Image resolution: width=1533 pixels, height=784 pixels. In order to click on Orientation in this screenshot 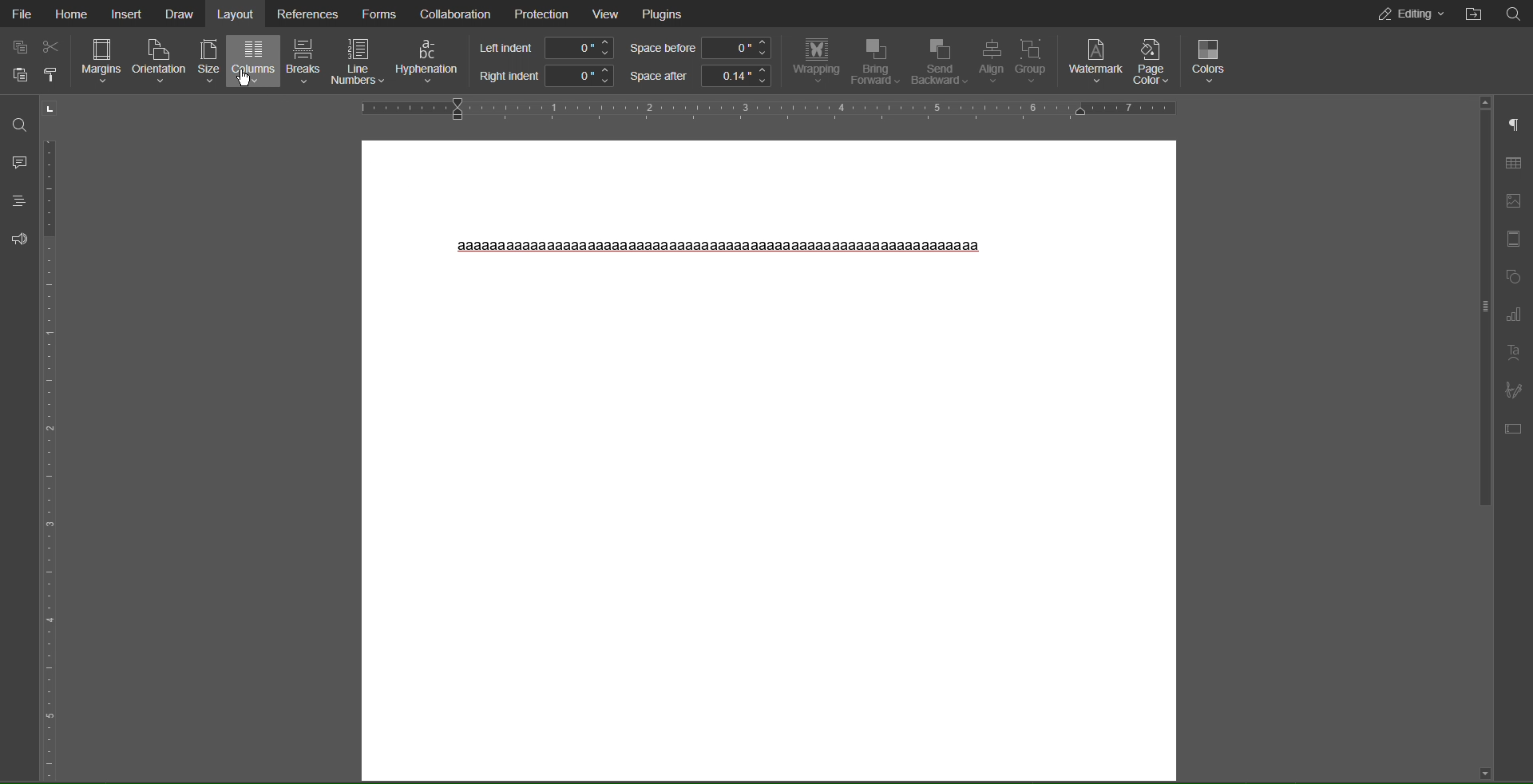, I will do `click(160, 62)`.